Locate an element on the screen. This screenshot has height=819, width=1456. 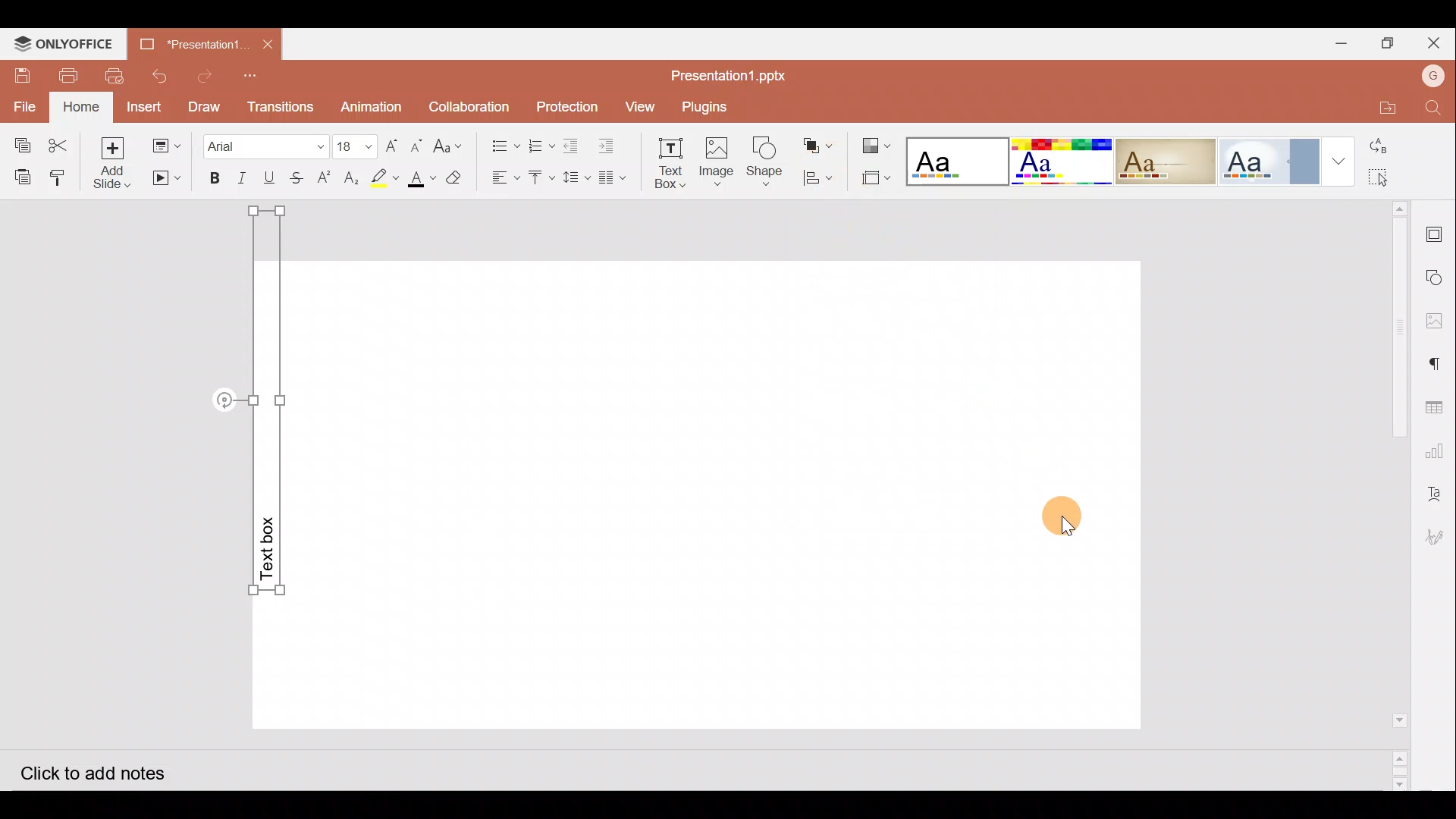
Plugins is located at coordinates (707, 105).